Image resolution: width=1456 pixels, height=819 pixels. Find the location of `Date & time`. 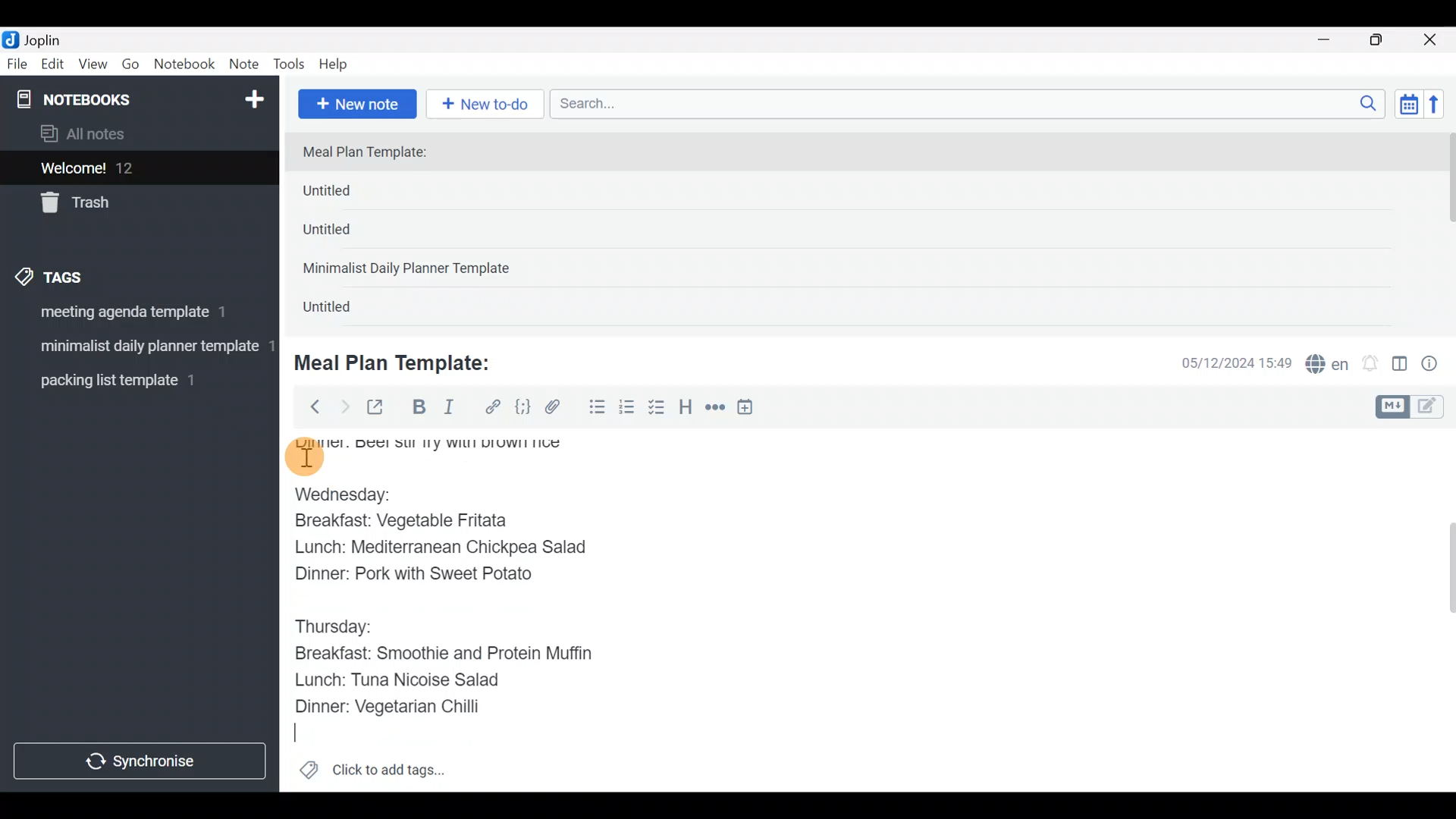

Date & time is located at coordinates (1225, 362).